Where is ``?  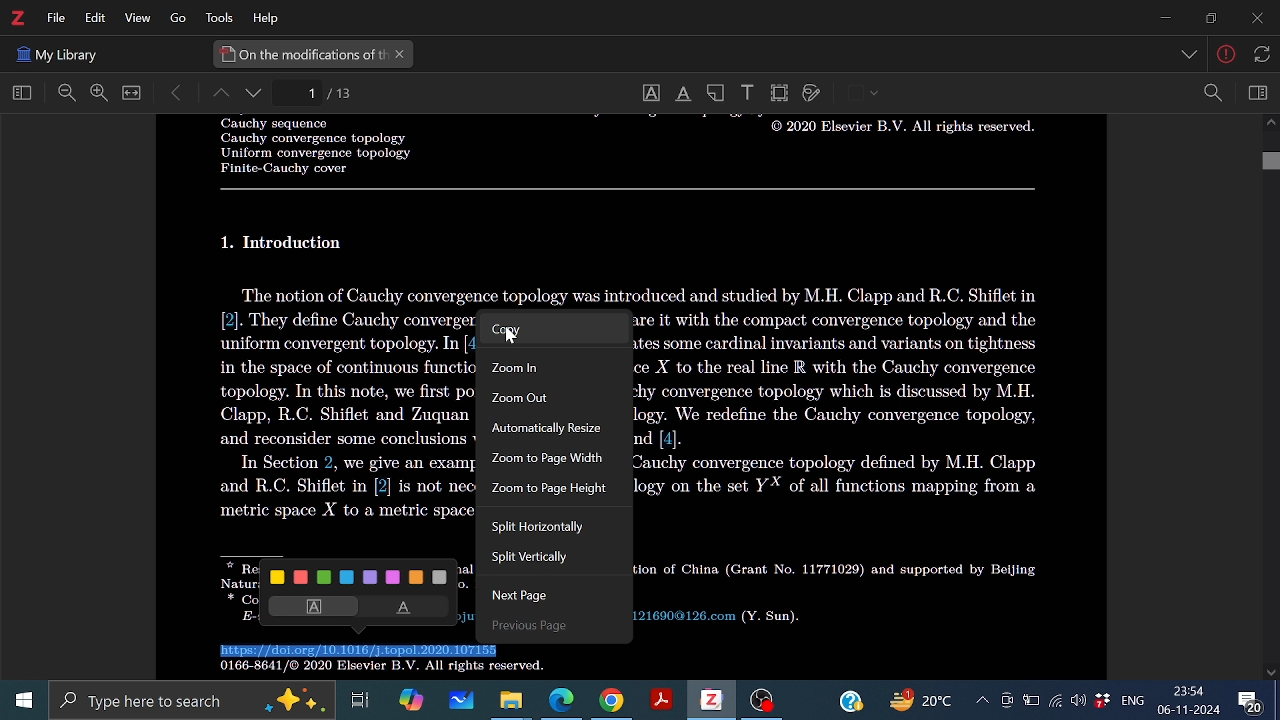  is located at coordinates (286, 243).